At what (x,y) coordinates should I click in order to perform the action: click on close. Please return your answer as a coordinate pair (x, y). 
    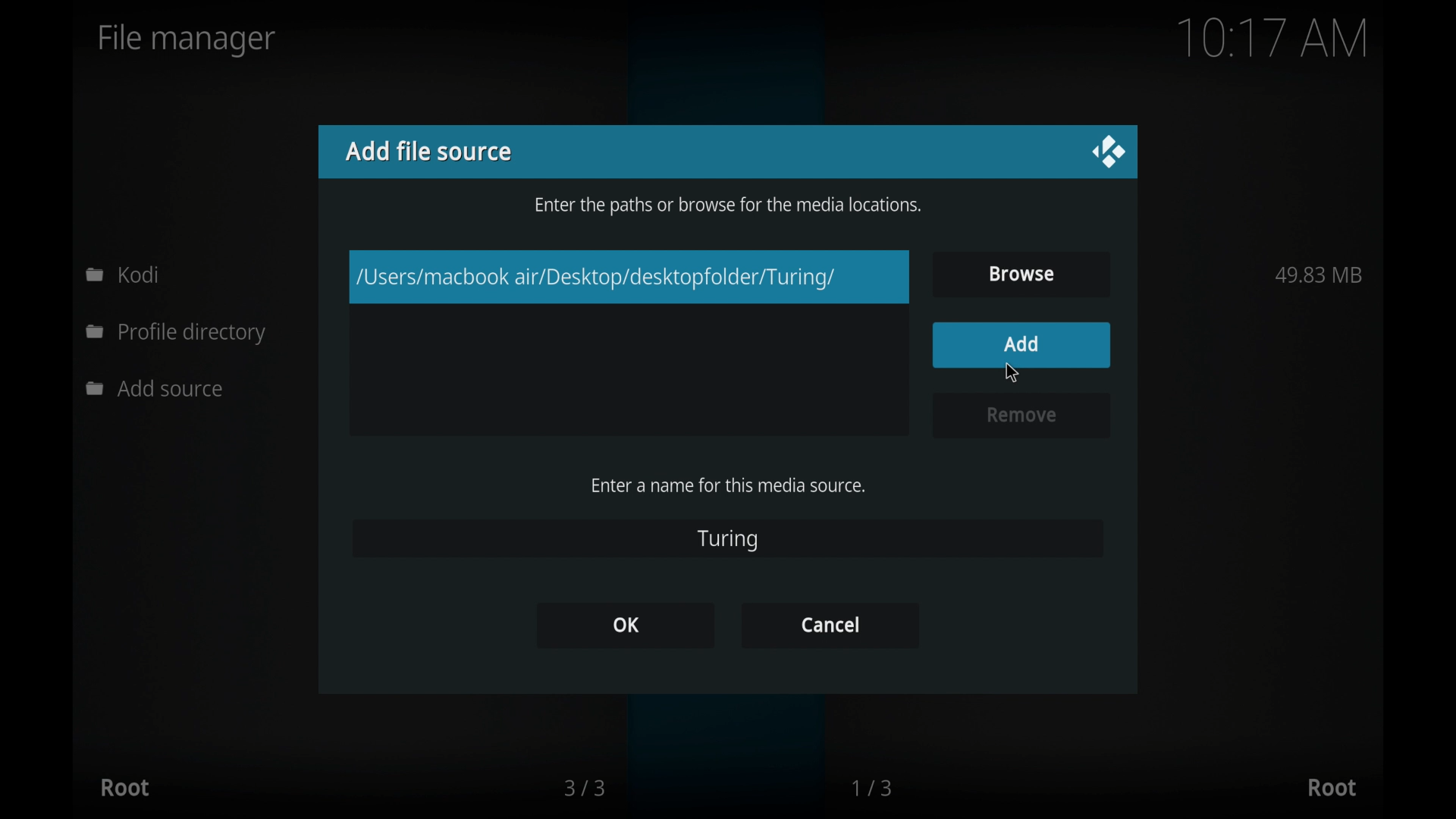
    Looking at the image, I should click on (1107, 153).